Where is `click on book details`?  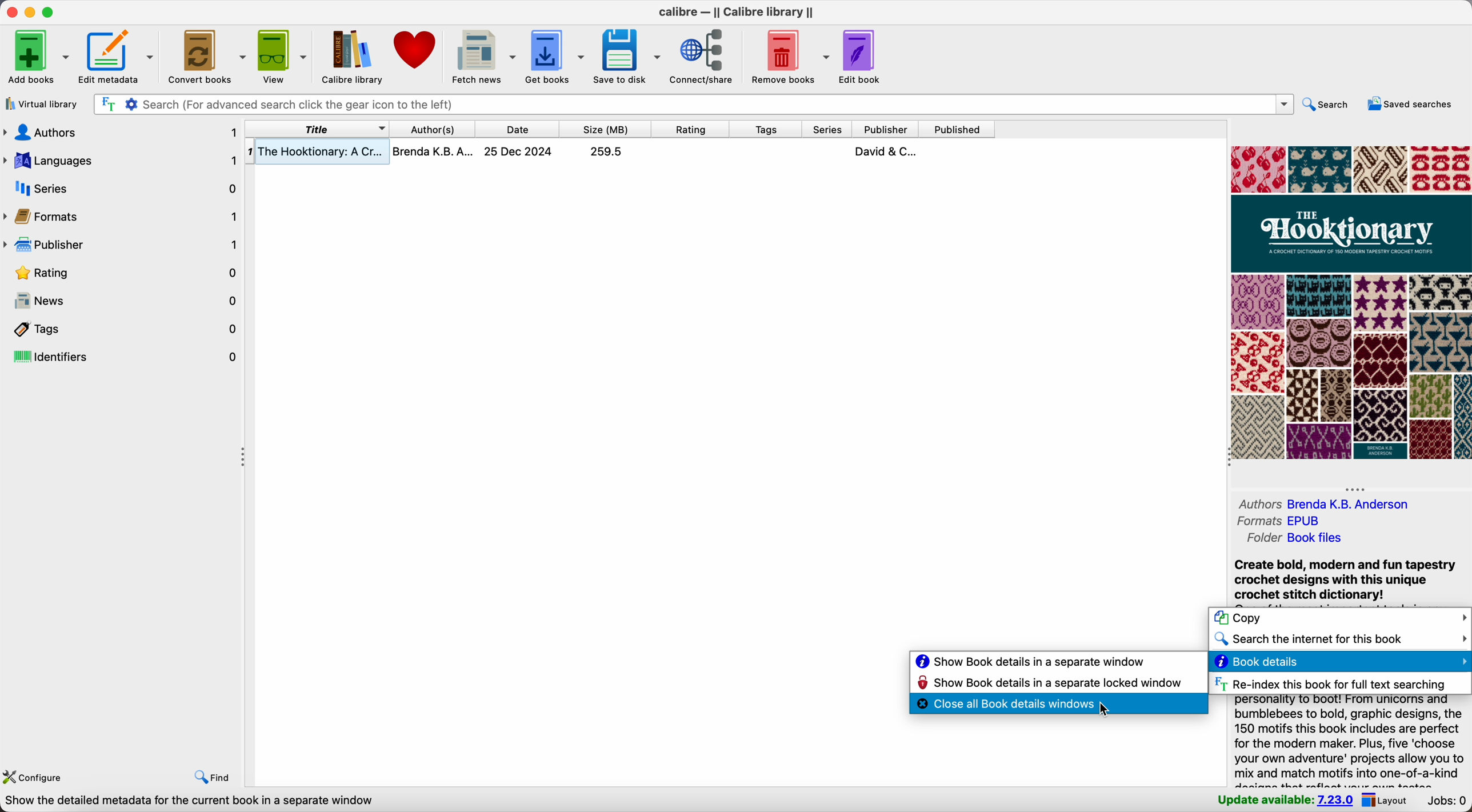 click on book details is located at coordinates (1339, 662).